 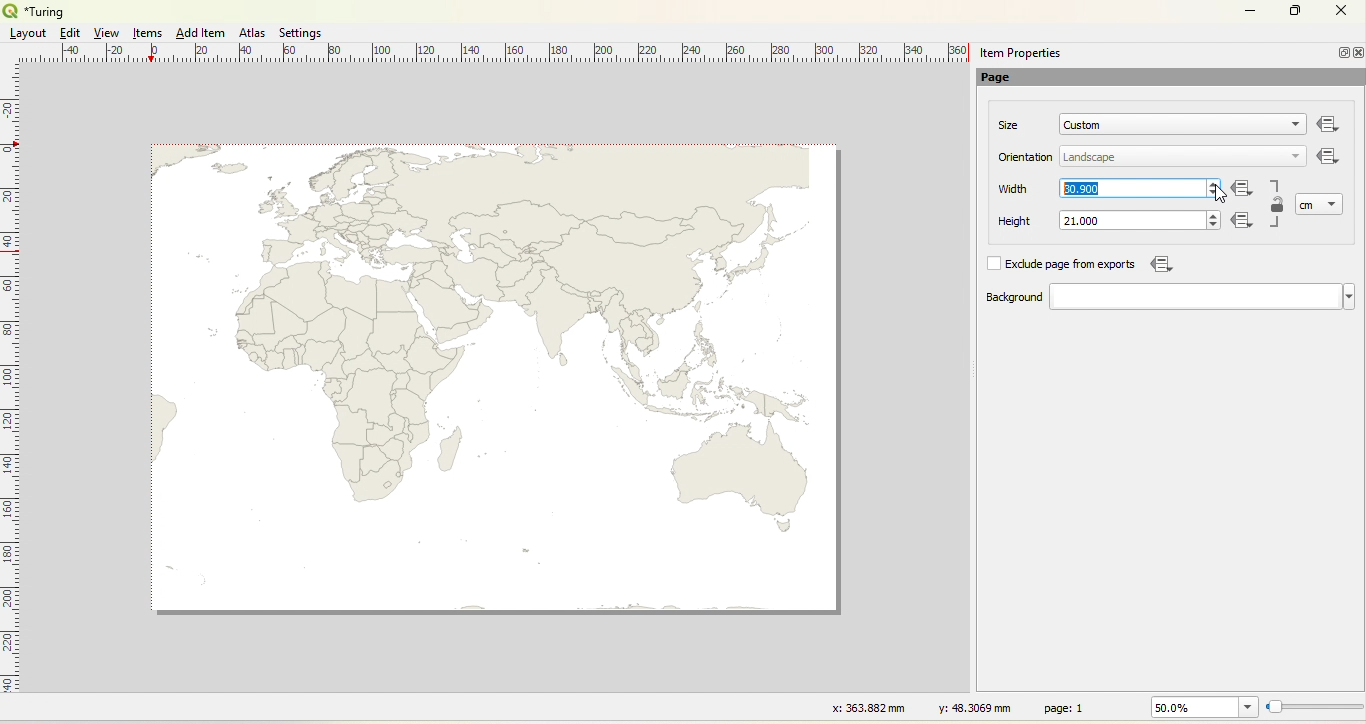 I want to click on Settings, so click(x=298, y=31).